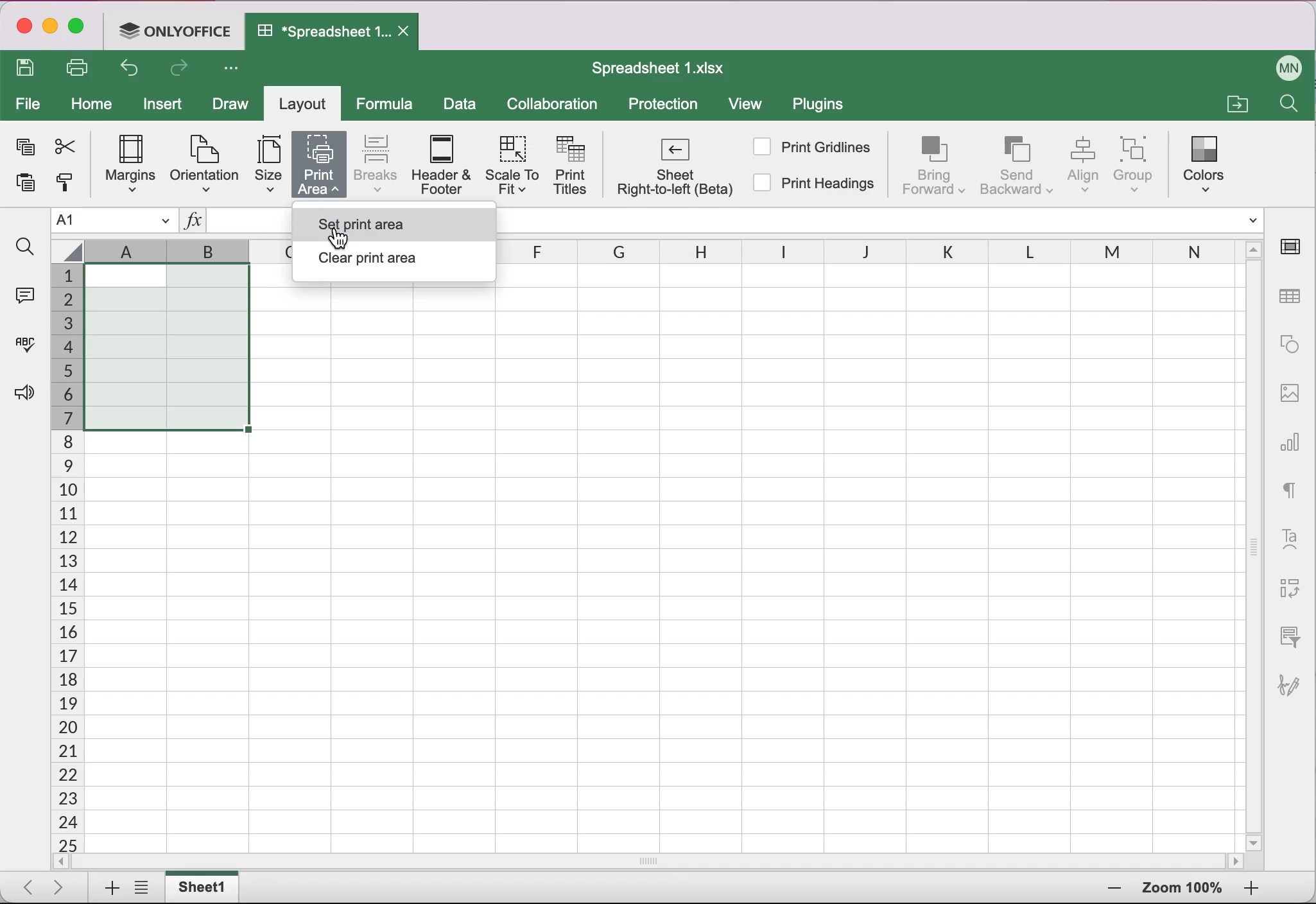 Image resolution: width=1316 pixels, height=904 pixels. Describe the element at coordinates (82, 67) in the screenshot. I see `print` at that location.